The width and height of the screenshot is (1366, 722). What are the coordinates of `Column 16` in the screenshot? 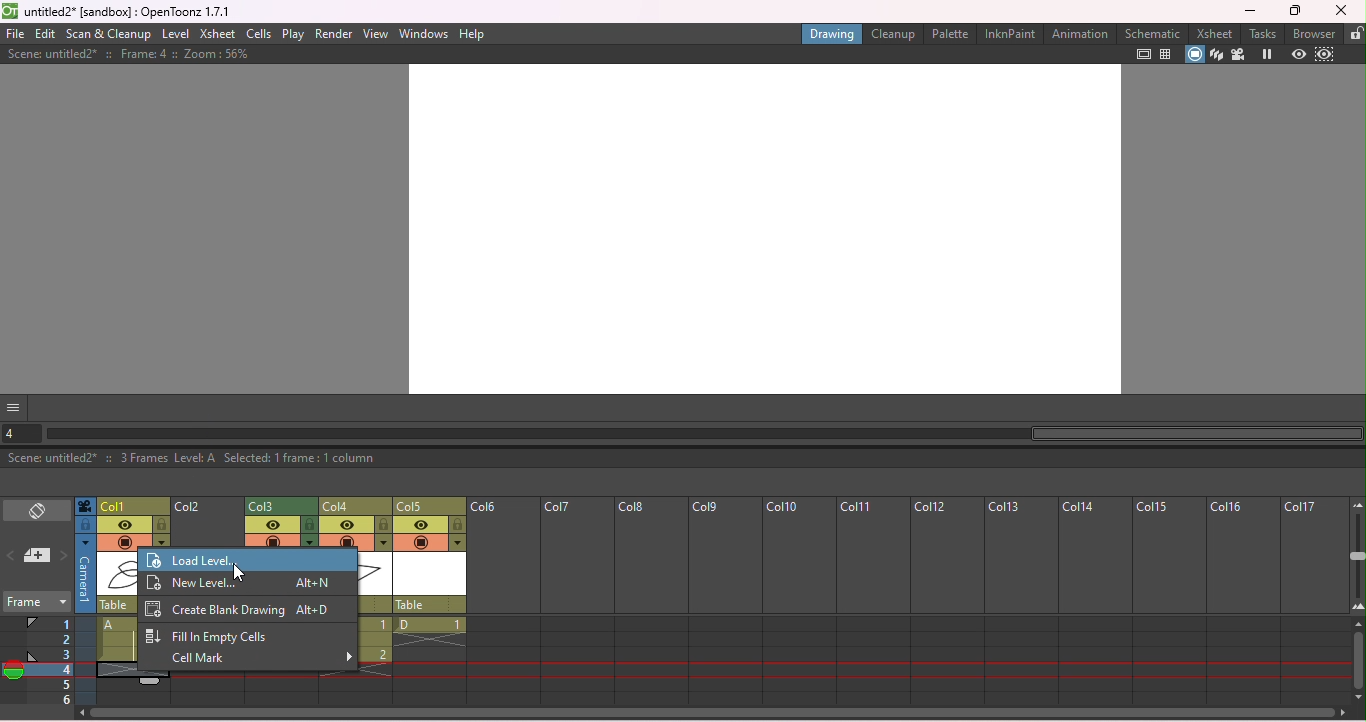 It's located at (1241, 601).